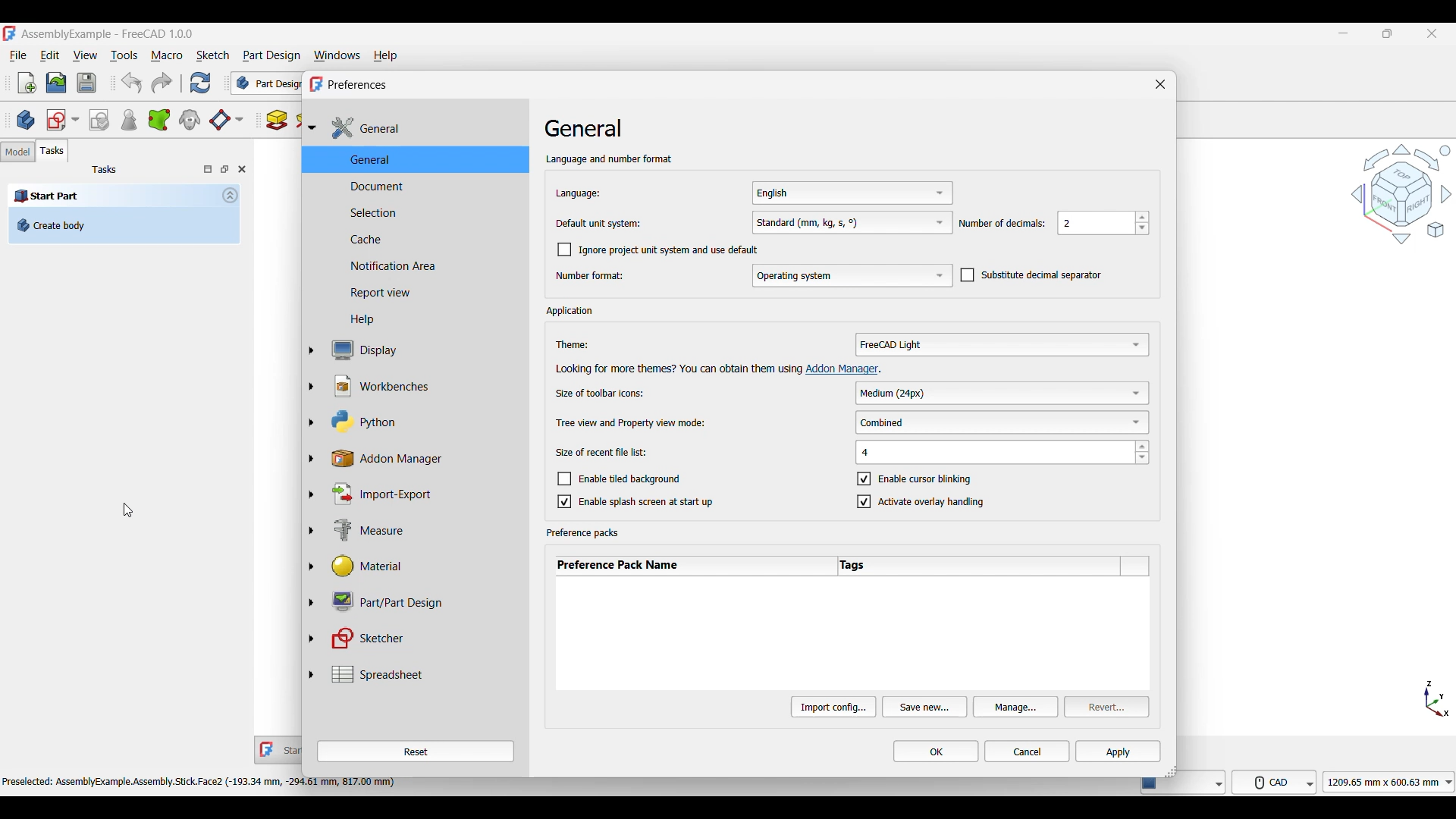 This screenshot has width=1456, height=819. What do you see at coordinates (599, 194) in the screenshot?
I see `Language:` at bounding box center [599, 194].